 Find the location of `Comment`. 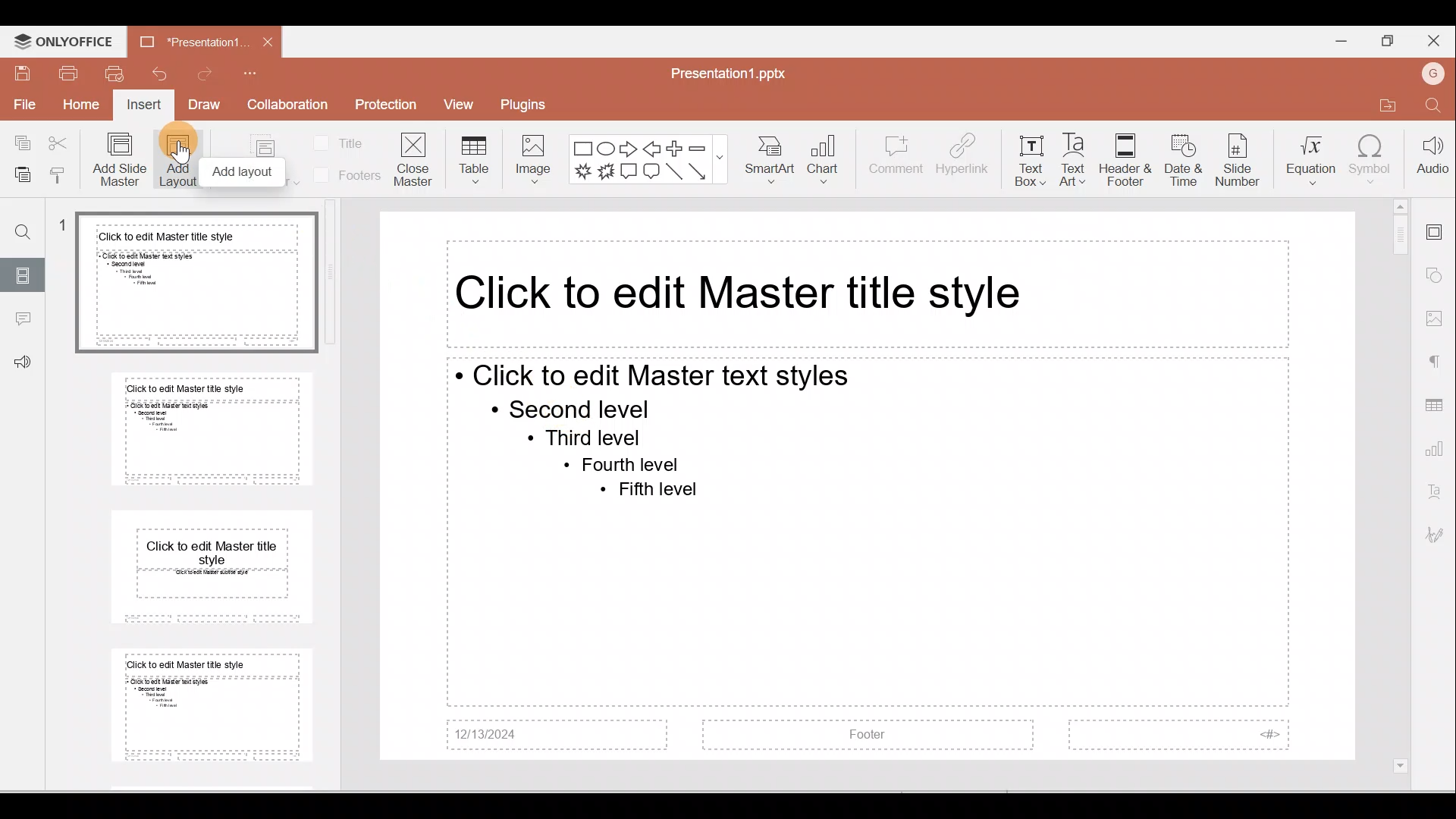

Comment is located at coordinates (896, 159).